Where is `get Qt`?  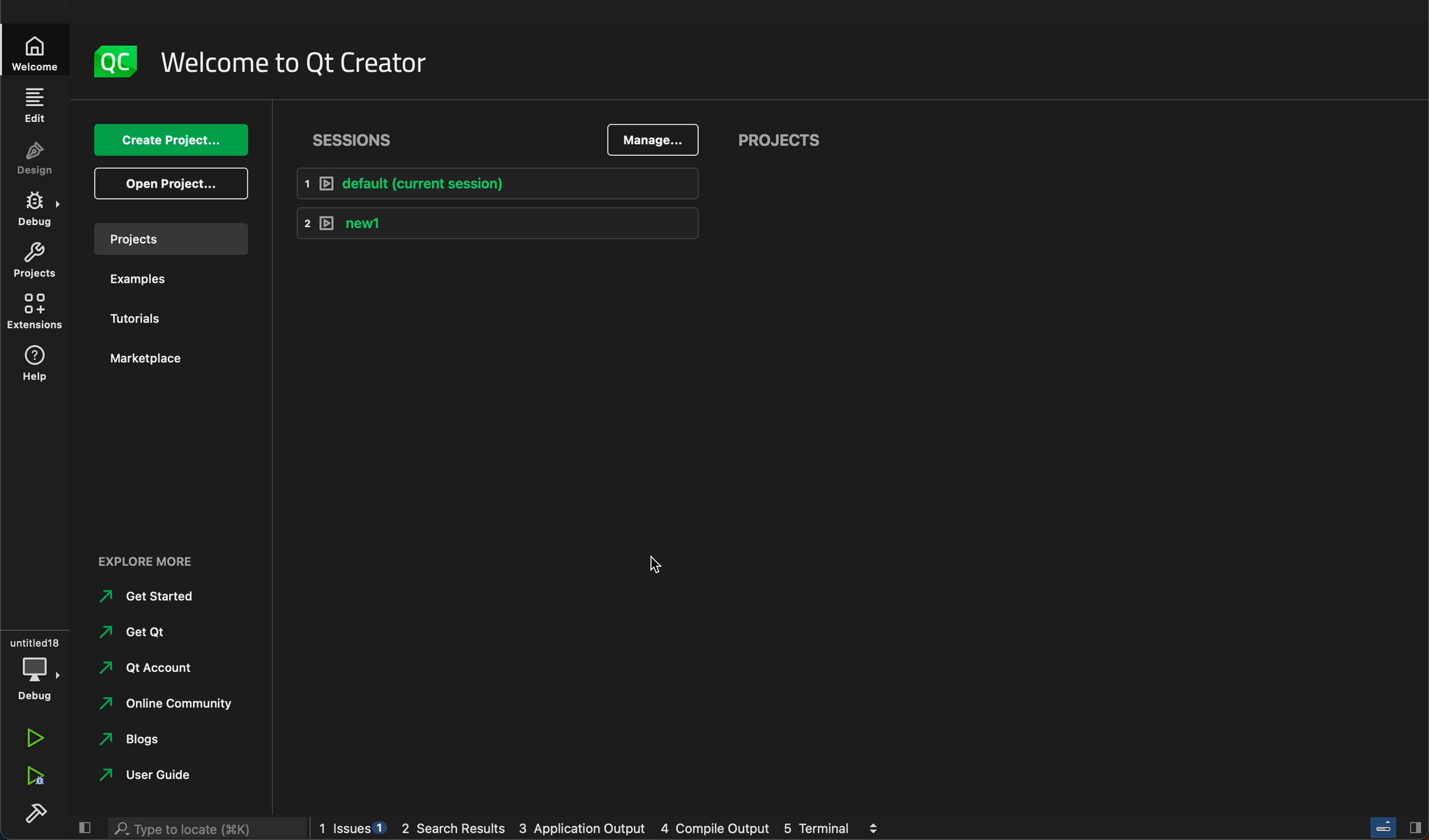 get Qt is located at coordinates (139, 633).